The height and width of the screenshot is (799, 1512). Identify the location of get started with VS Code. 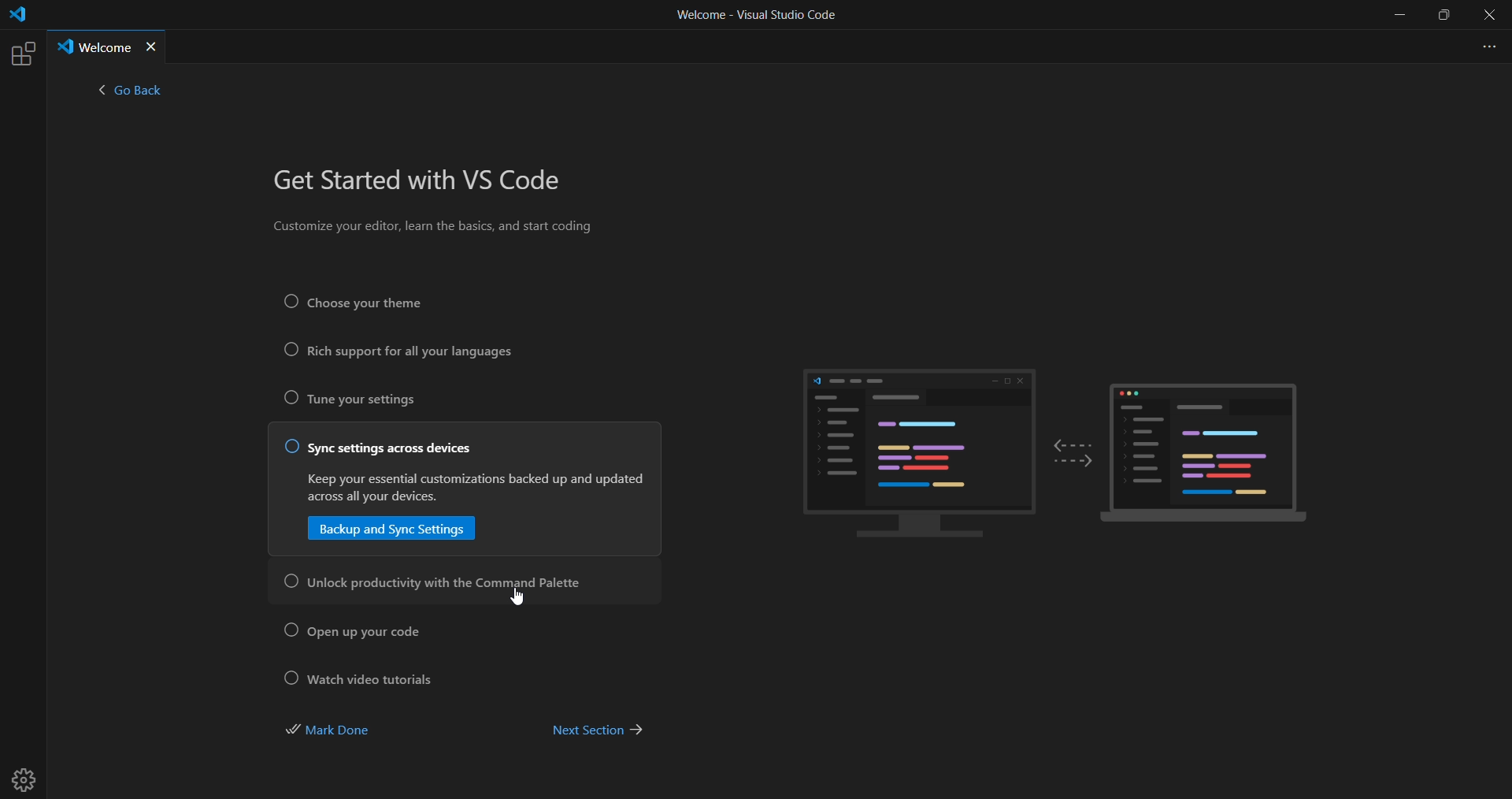
(424, 182).